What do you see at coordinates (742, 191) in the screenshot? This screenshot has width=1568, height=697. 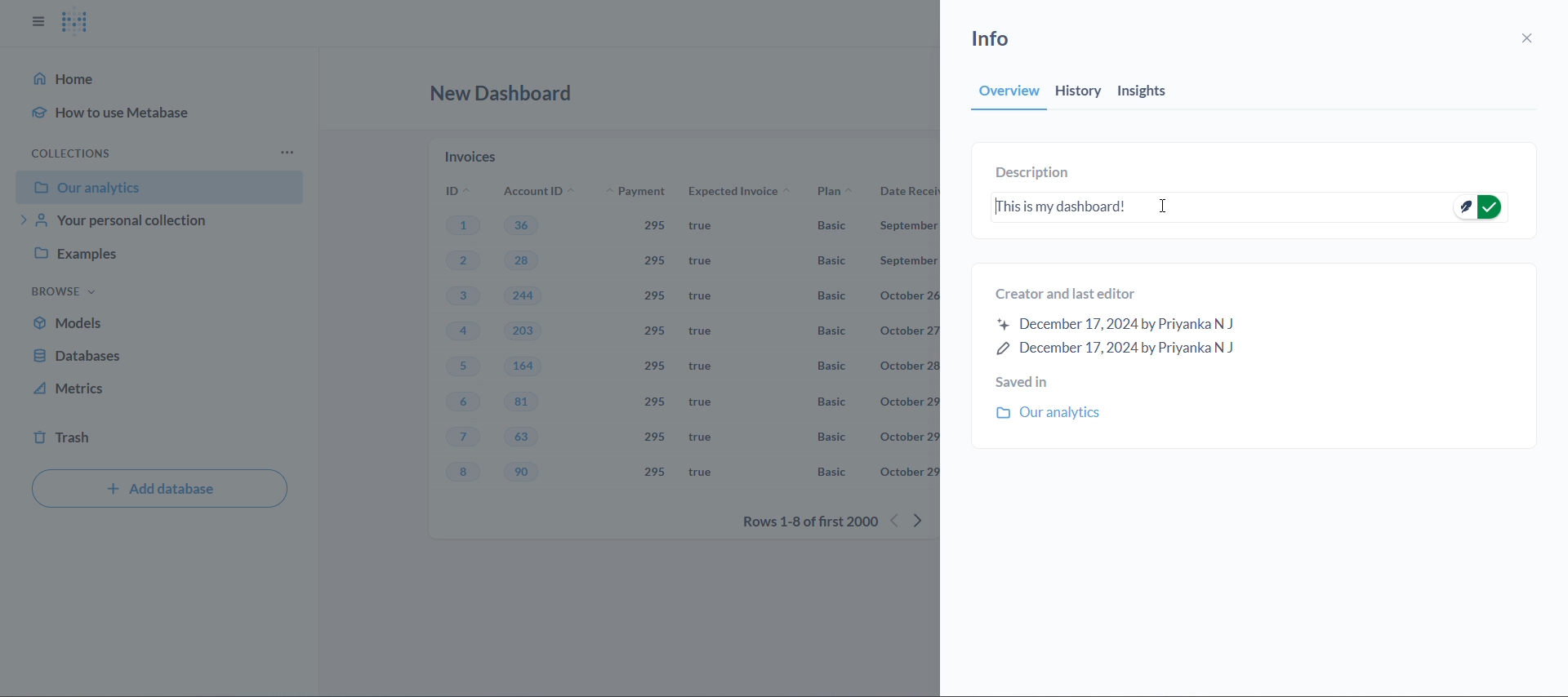 I see `expected invoice` at bounding box center [742, 191].